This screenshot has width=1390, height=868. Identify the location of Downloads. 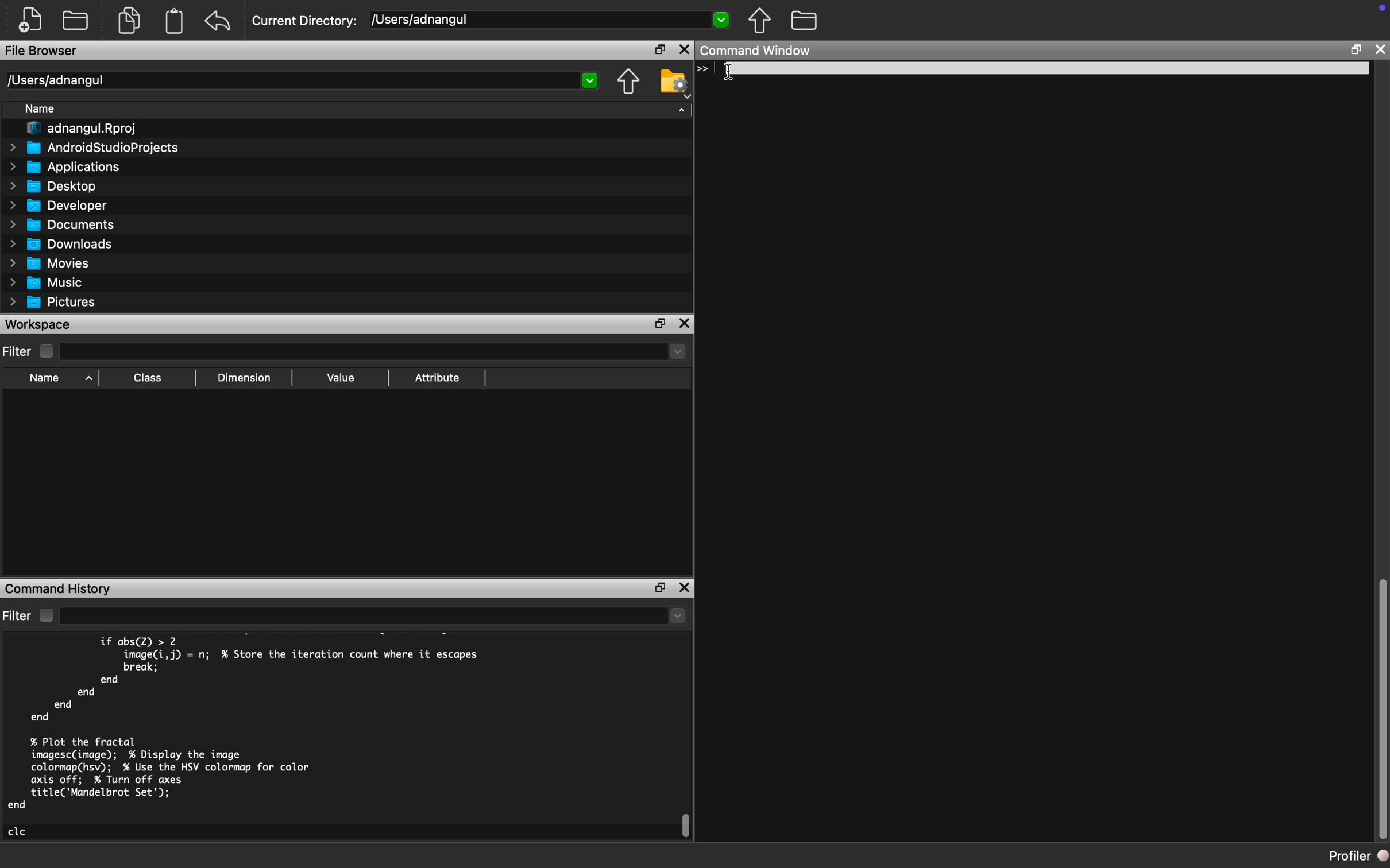
(63, 243).